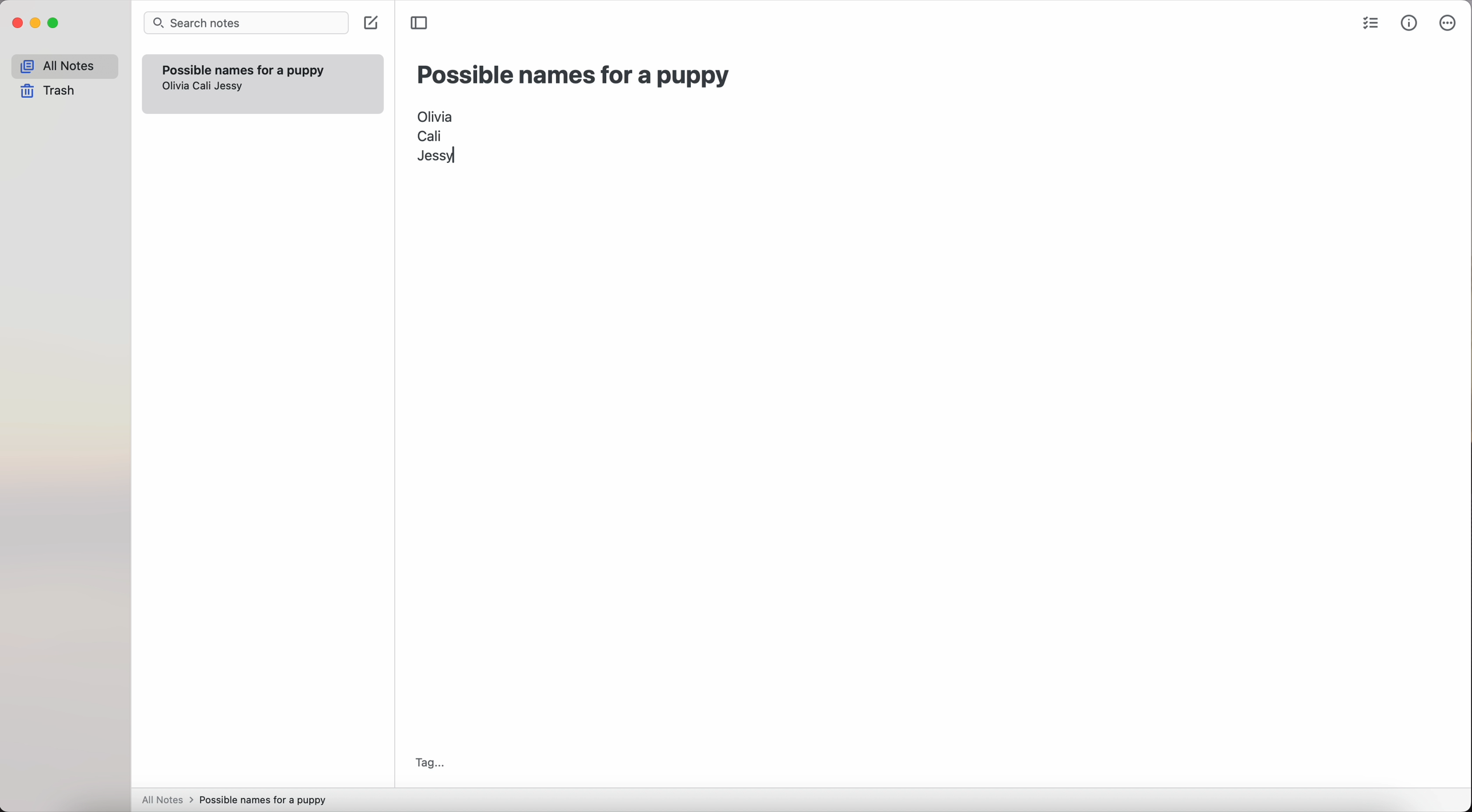 The width and height of the screenshot is (1472, 812). I want to click on all notes > possible names for a puppy, so click(238, 799).